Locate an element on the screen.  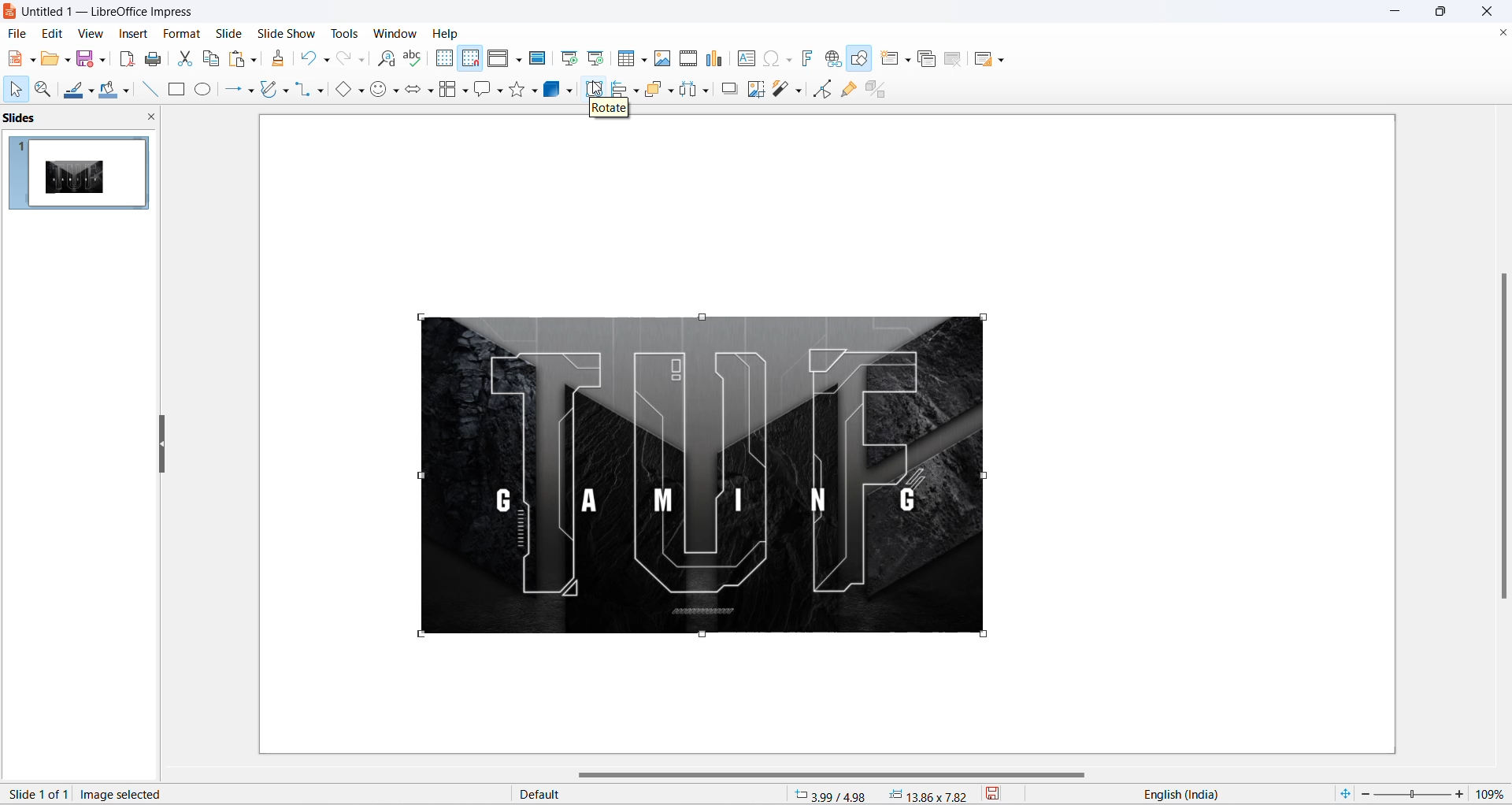
zoom increase is located at coordinates (1462, 793).